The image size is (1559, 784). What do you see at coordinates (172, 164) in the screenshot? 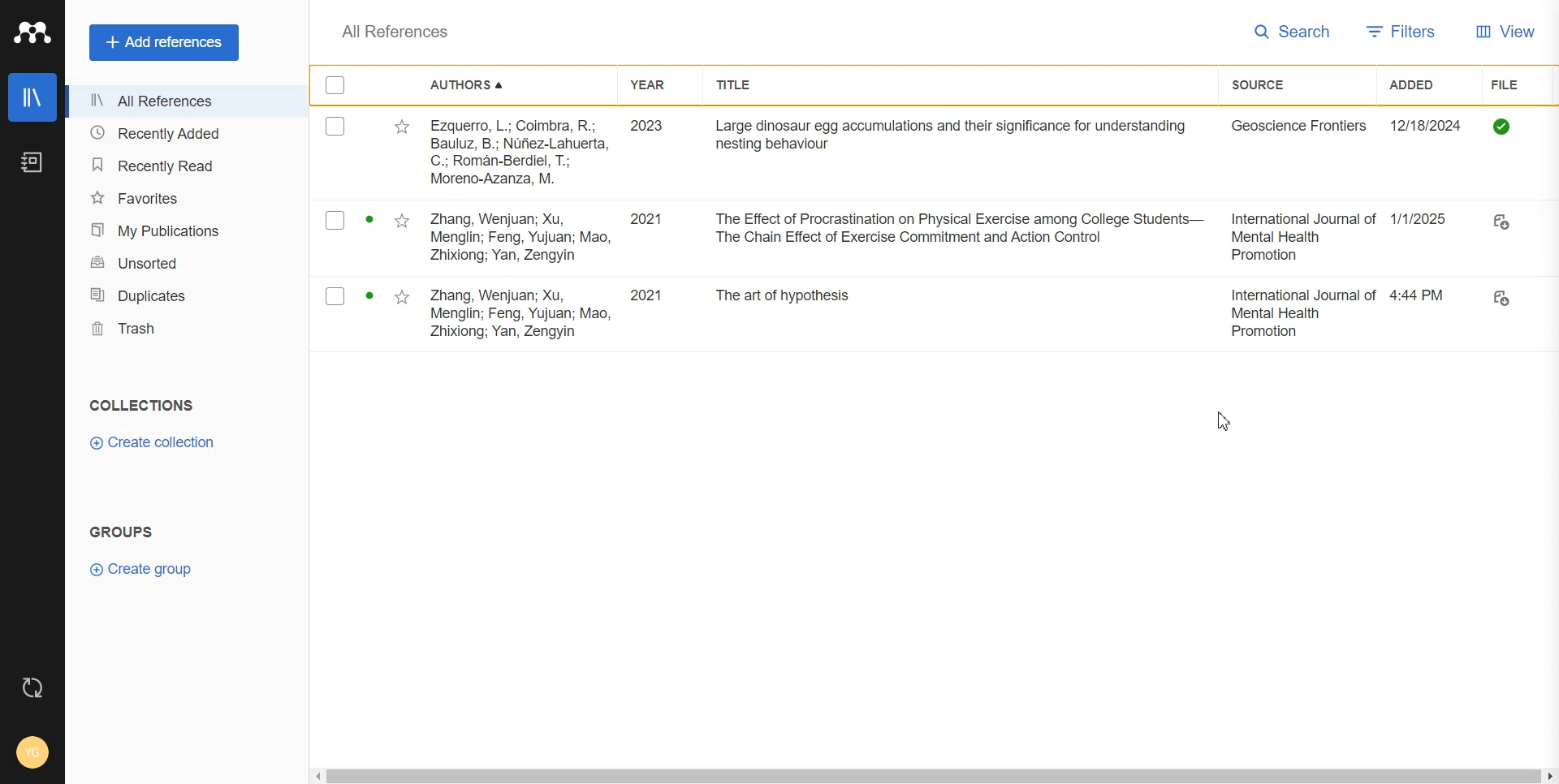
I see `Recently Read` at bounding box center [172, 164].